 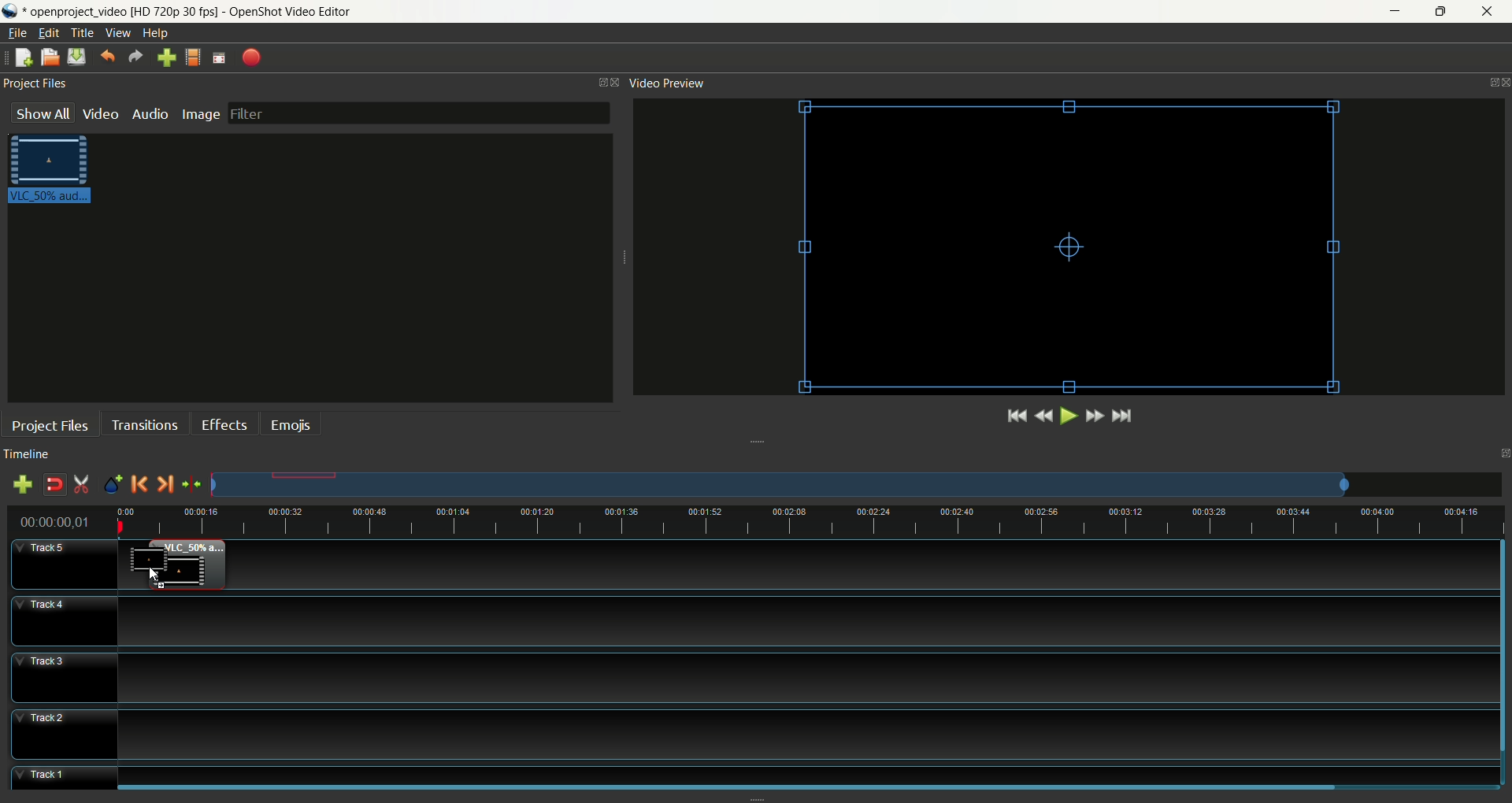 I want to click on image, so click(x=200, y=115).